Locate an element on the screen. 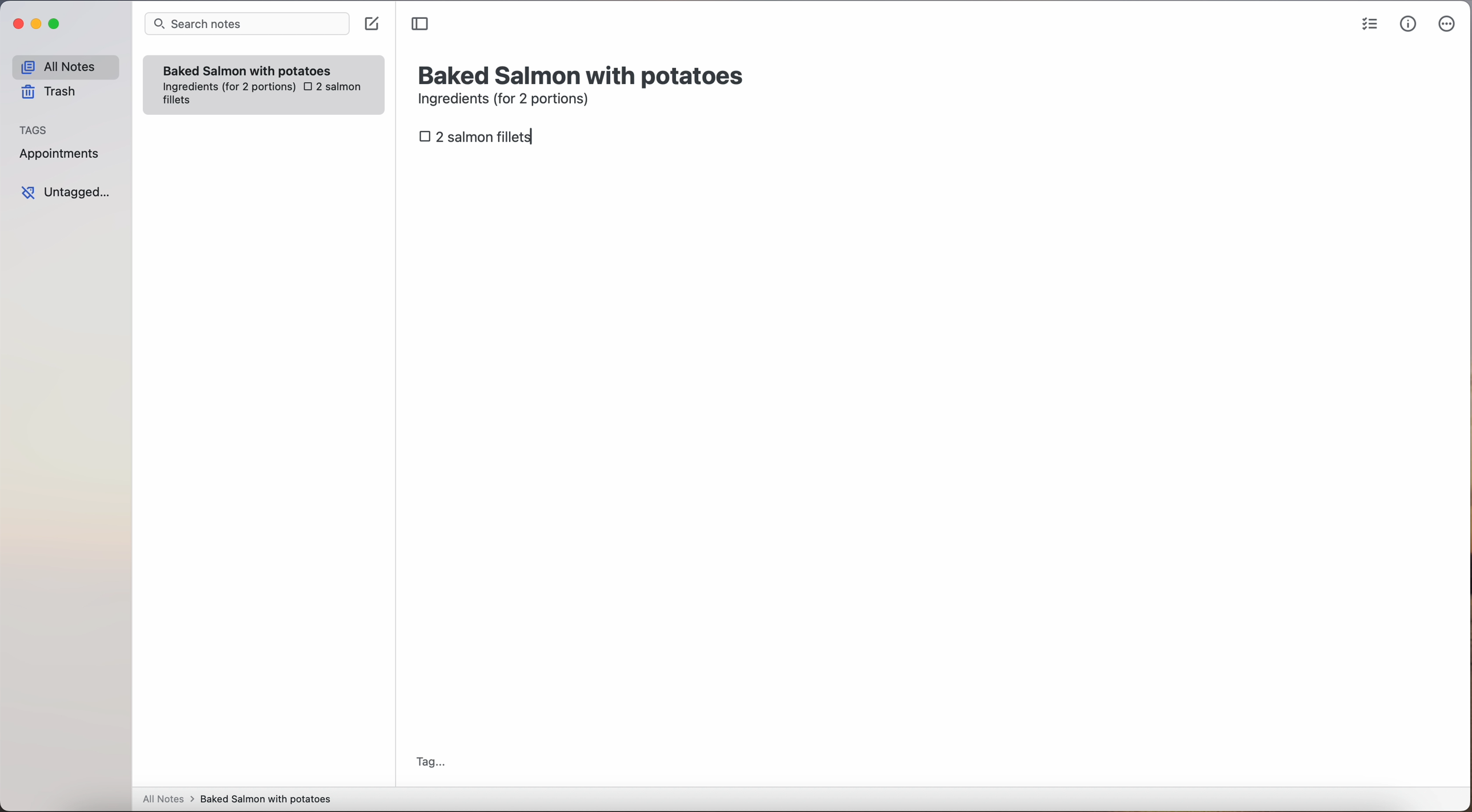 This screenshot has width=1472, height=812. 2 salmon fillets is located at coordinates (479, 139).